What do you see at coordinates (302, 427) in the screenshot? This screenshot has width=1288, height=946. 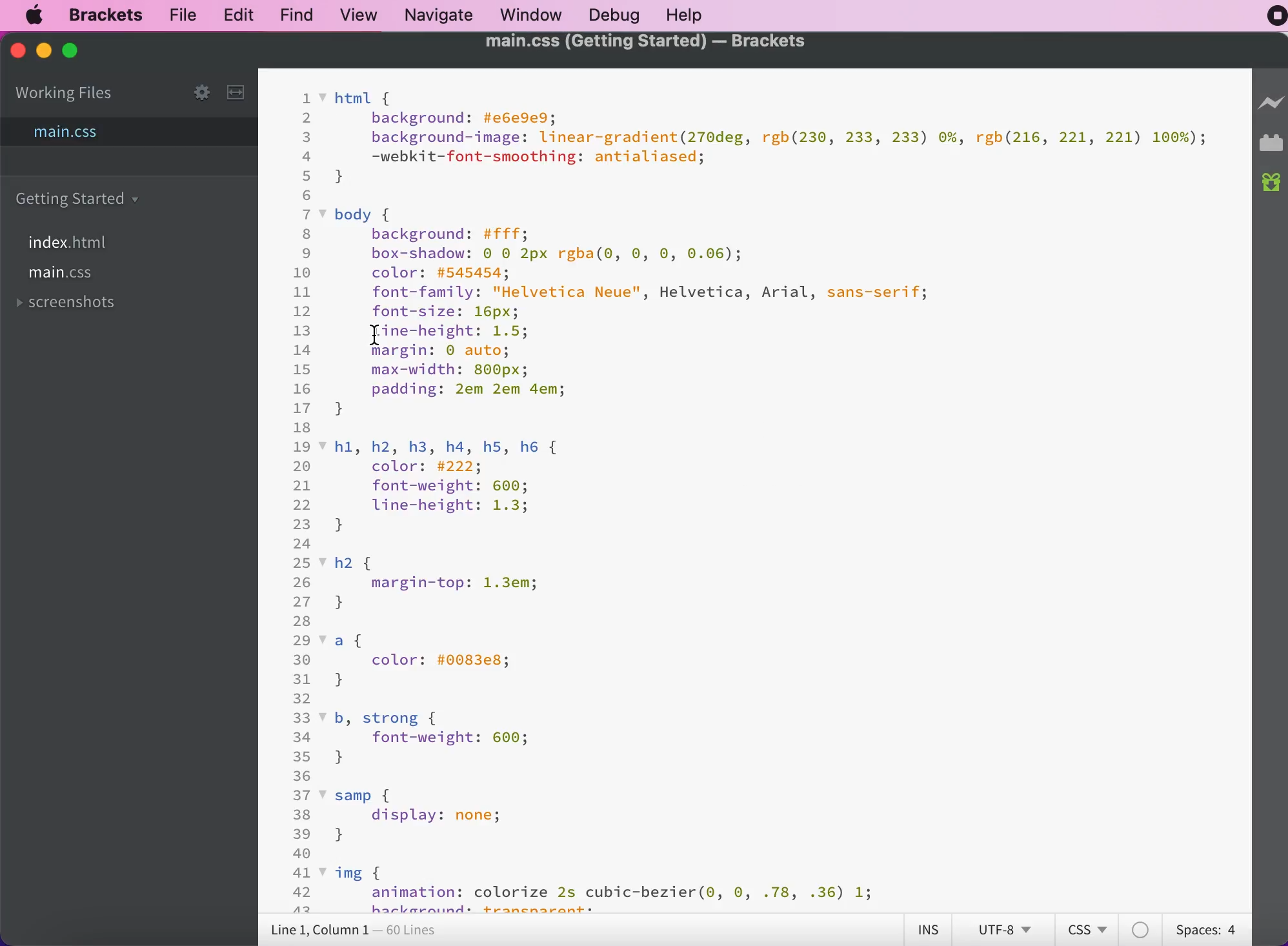 I see `18` at bounding box center [302, 427].